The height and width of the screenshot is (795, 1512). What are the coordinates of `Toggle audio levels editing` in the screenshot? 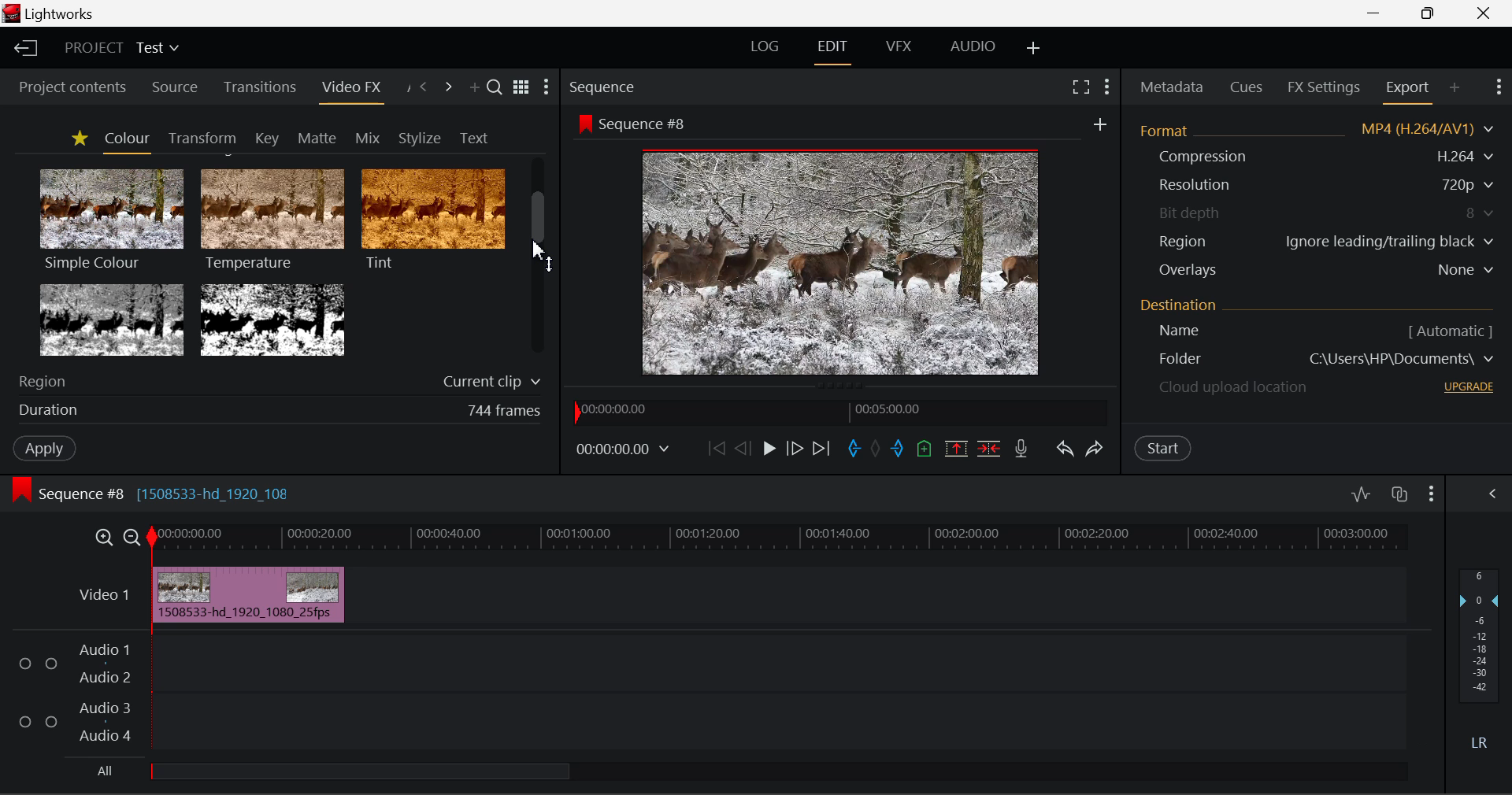 It's located at (1360, 492).